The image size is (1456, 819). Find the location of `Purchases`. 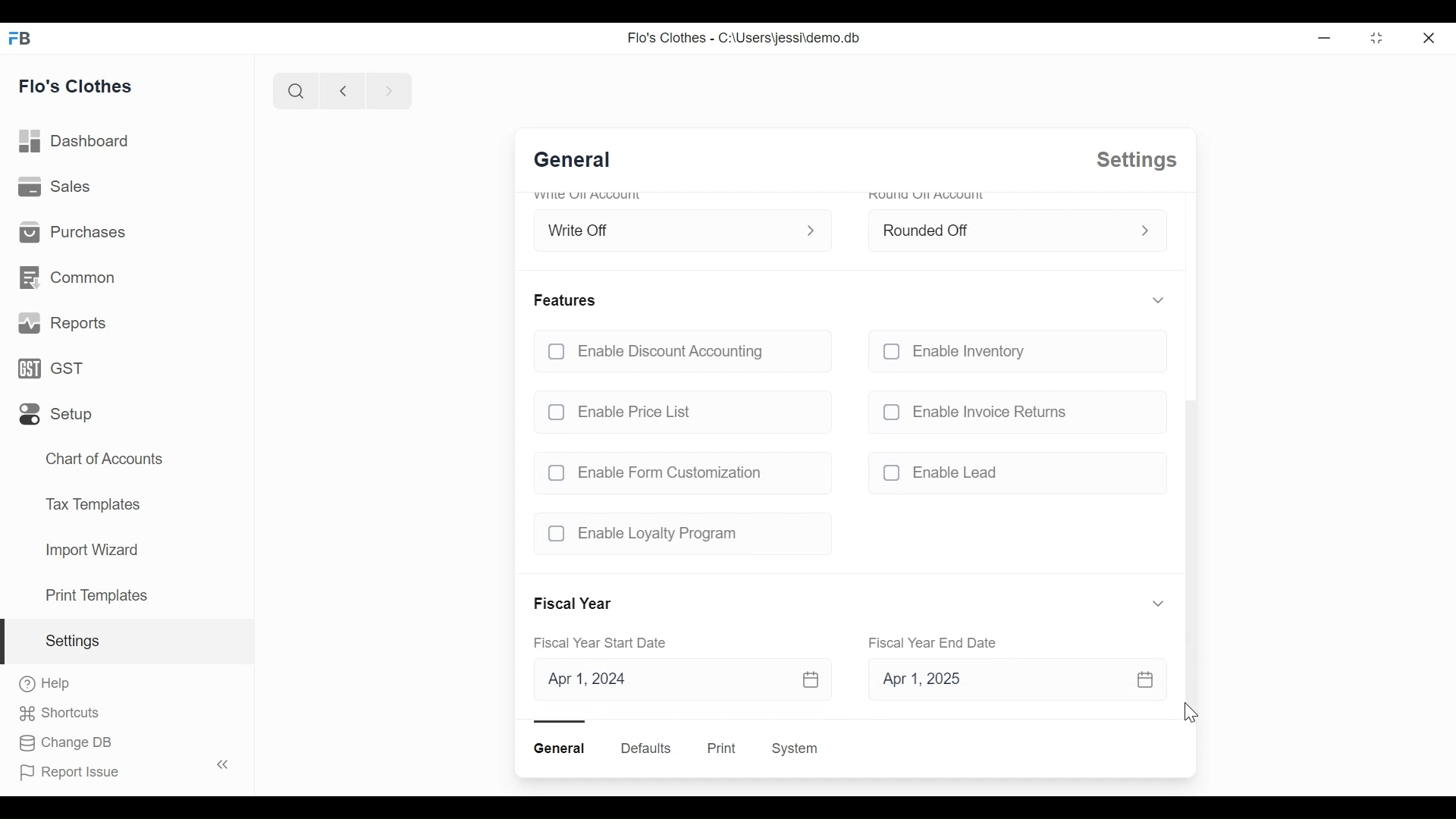

Purchases is located at coordinates (71, 233).